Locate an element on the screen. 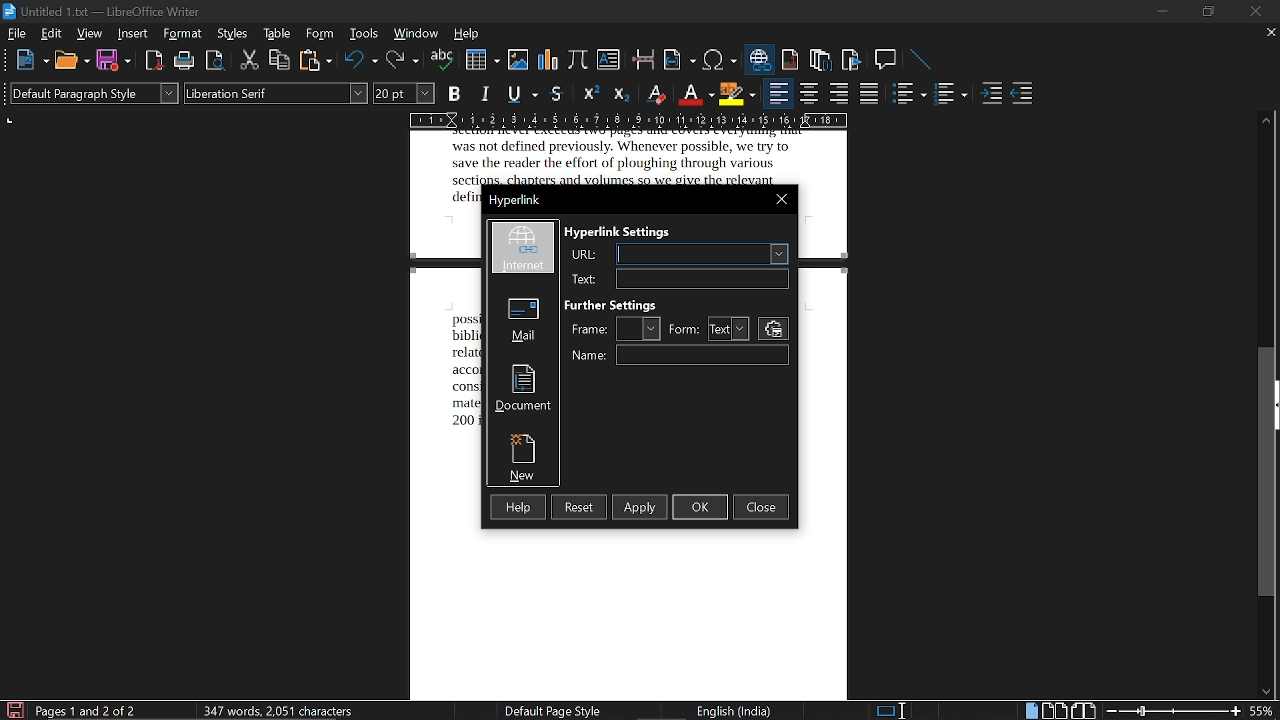  paste is located at coordinates (315, 61).